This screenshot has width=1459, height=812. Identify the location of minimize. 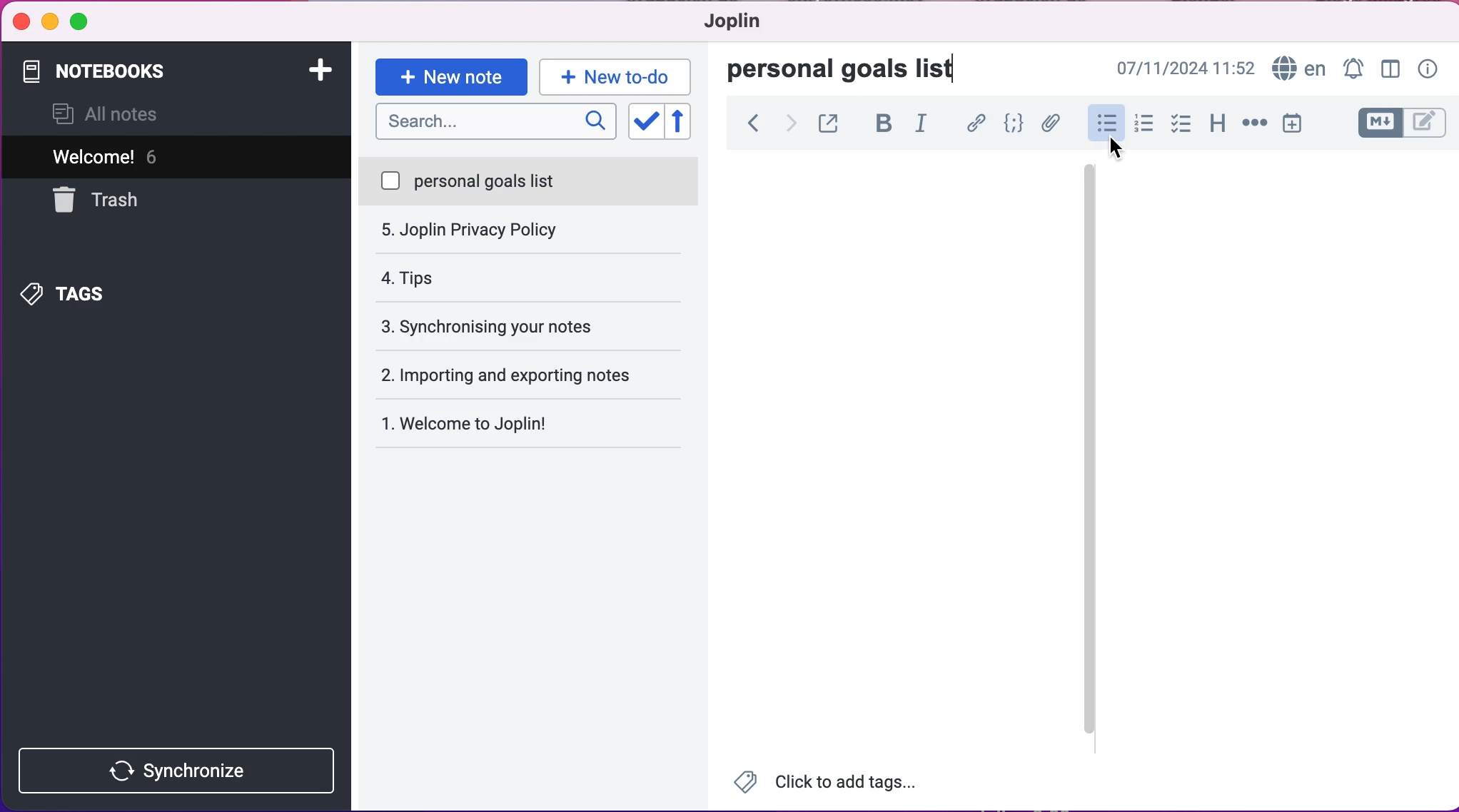
(49, 22).